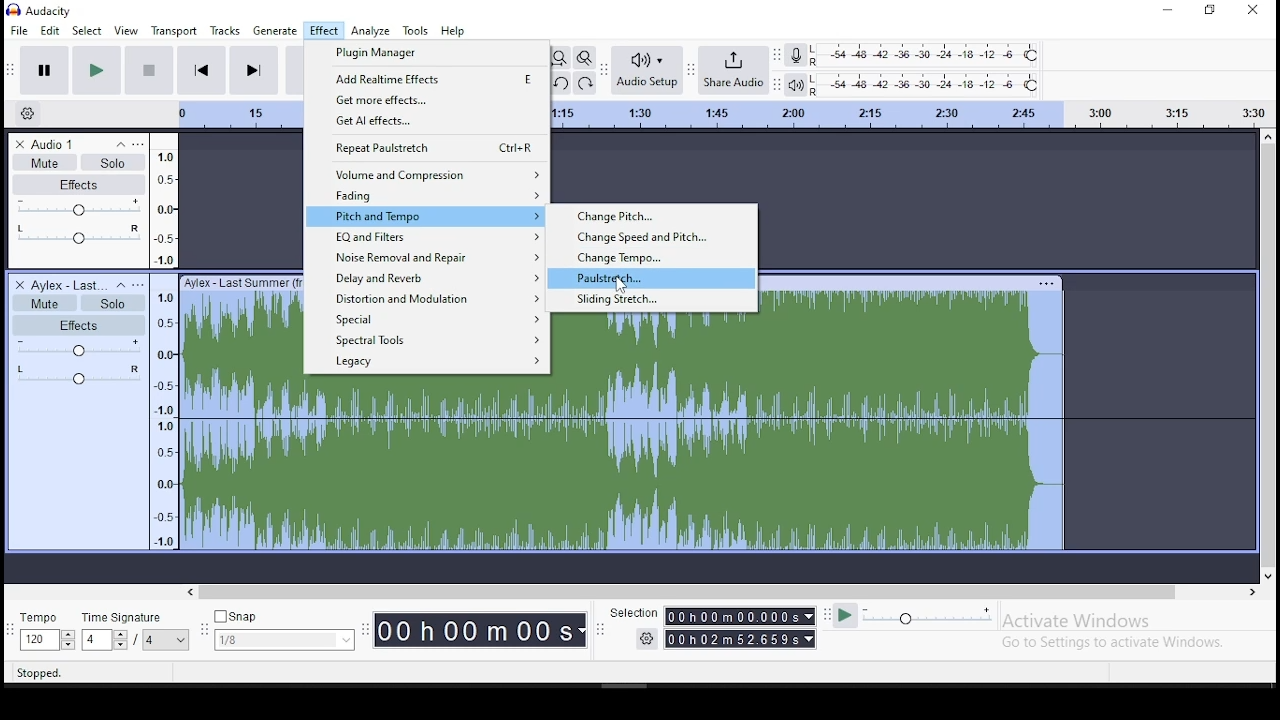 The width and height of the screenshot is (1280, 720). Describe the element at coordinates (562, 84) in the screenshot. I see `undo` at that location.